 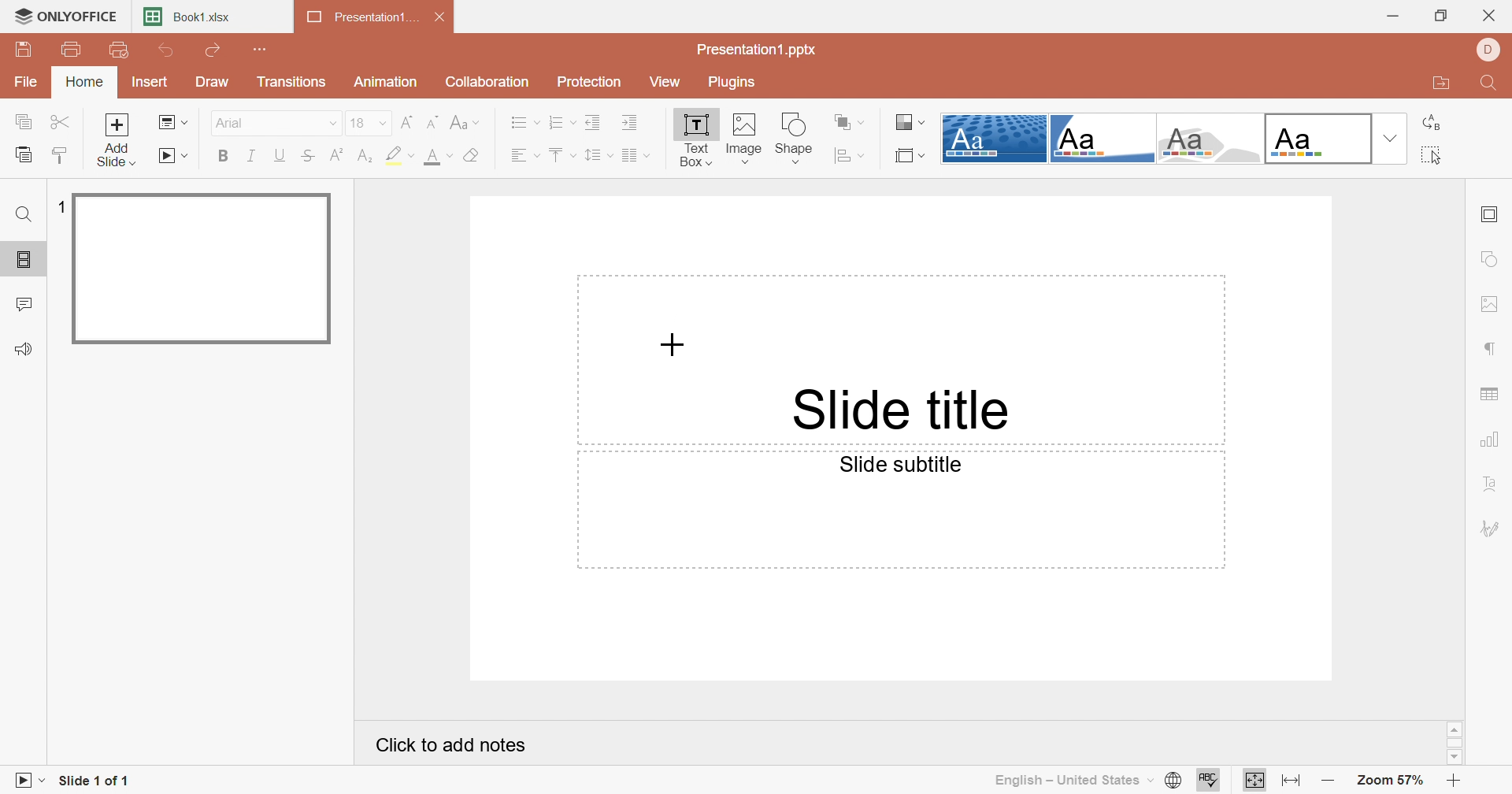 What do you see at coordinates (596, 155) in the screenshot?
I see `Line spacing` at bounding box center [596, 155].